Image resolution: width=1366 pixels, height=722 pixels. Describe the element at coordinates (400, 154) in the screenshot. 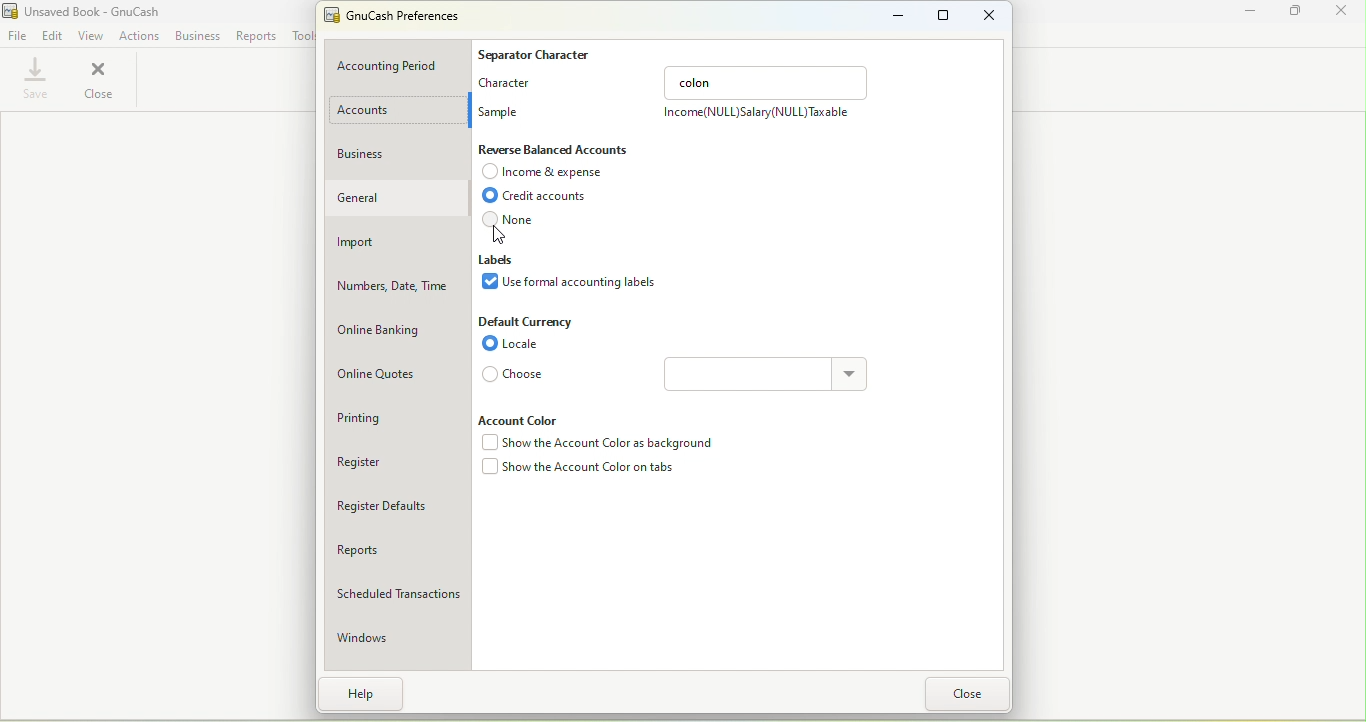

I see `Business` at that location.